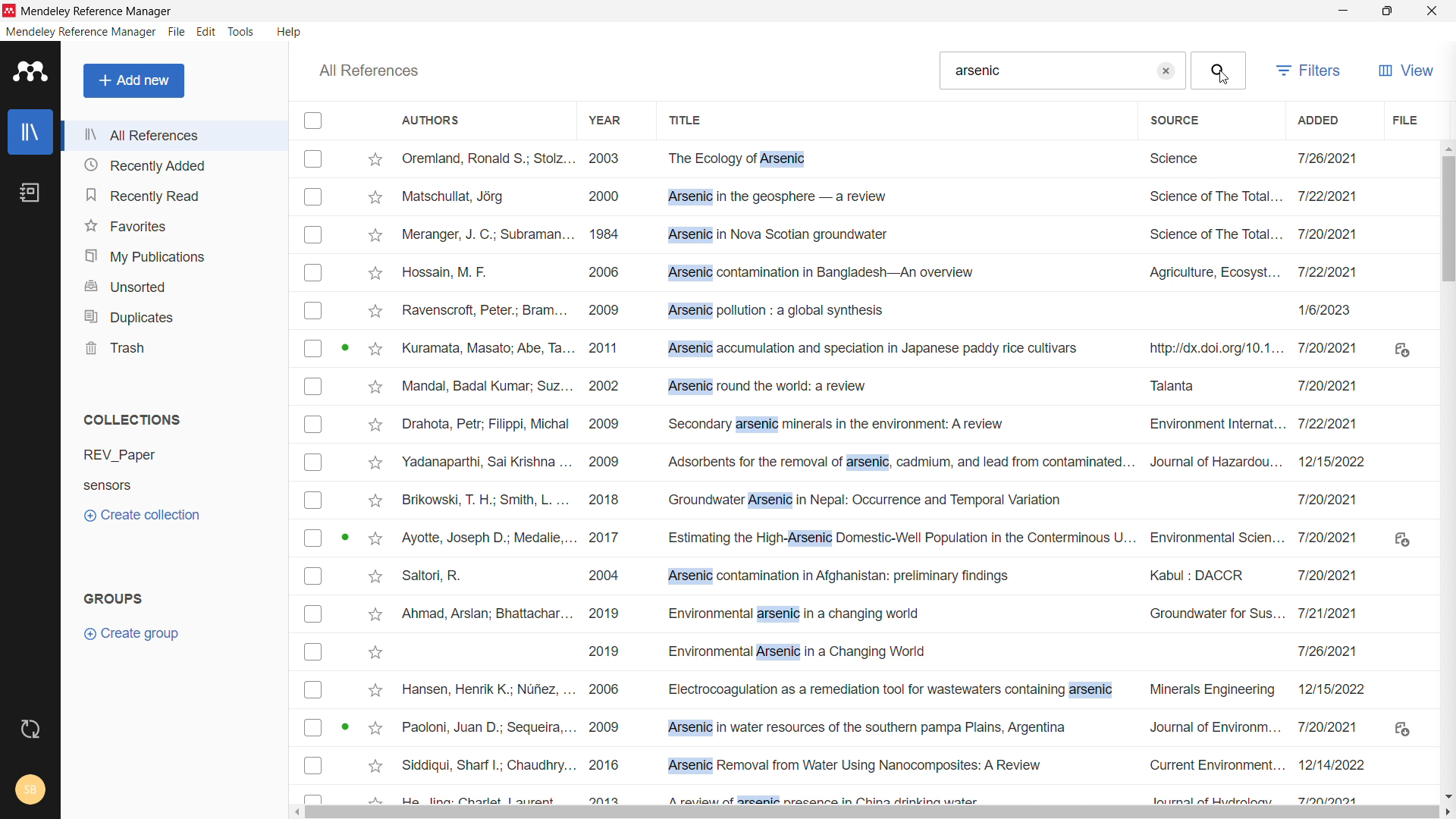  What do you see at coordinates (1342, 10) in the screenshot?
I see `minimize` at bounding box center [1342, 10].